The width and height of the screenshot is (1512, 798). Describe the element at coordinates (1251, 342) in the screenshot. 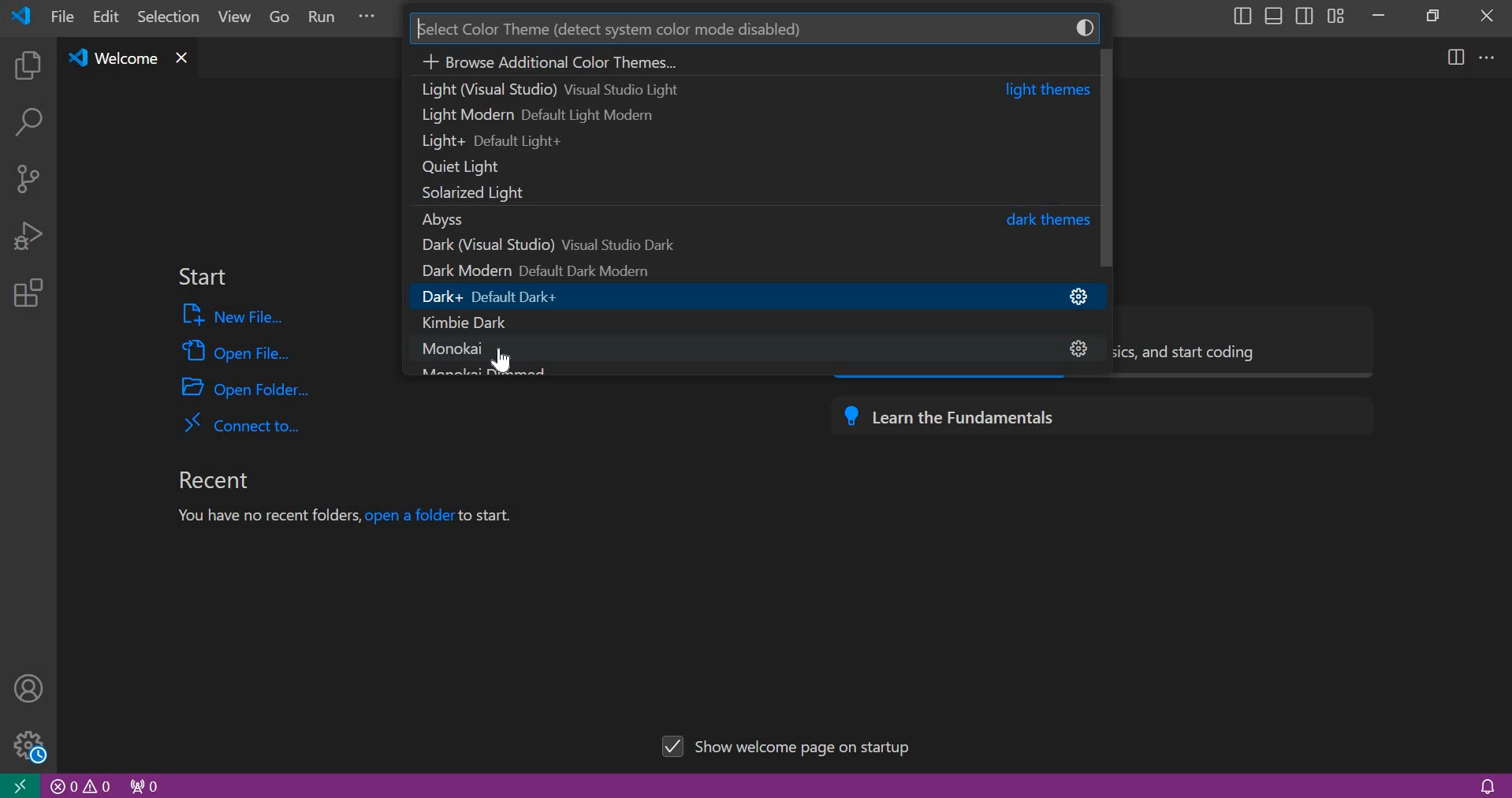

I see `get started with VS Code` at that location.